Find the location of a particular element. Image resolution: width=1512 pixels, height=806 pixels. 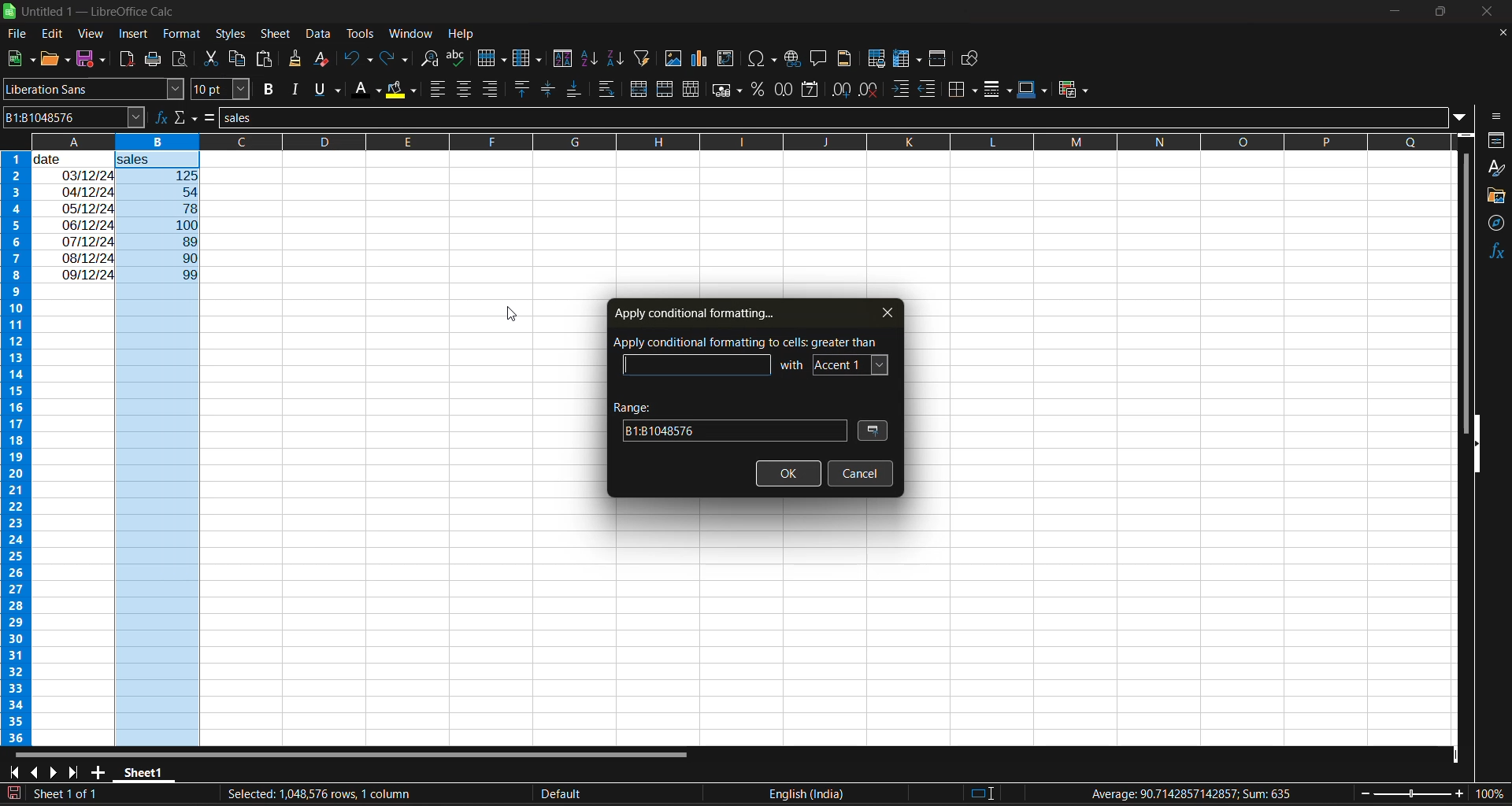

scroll to previous sheet is located at coordinates (32, 771).